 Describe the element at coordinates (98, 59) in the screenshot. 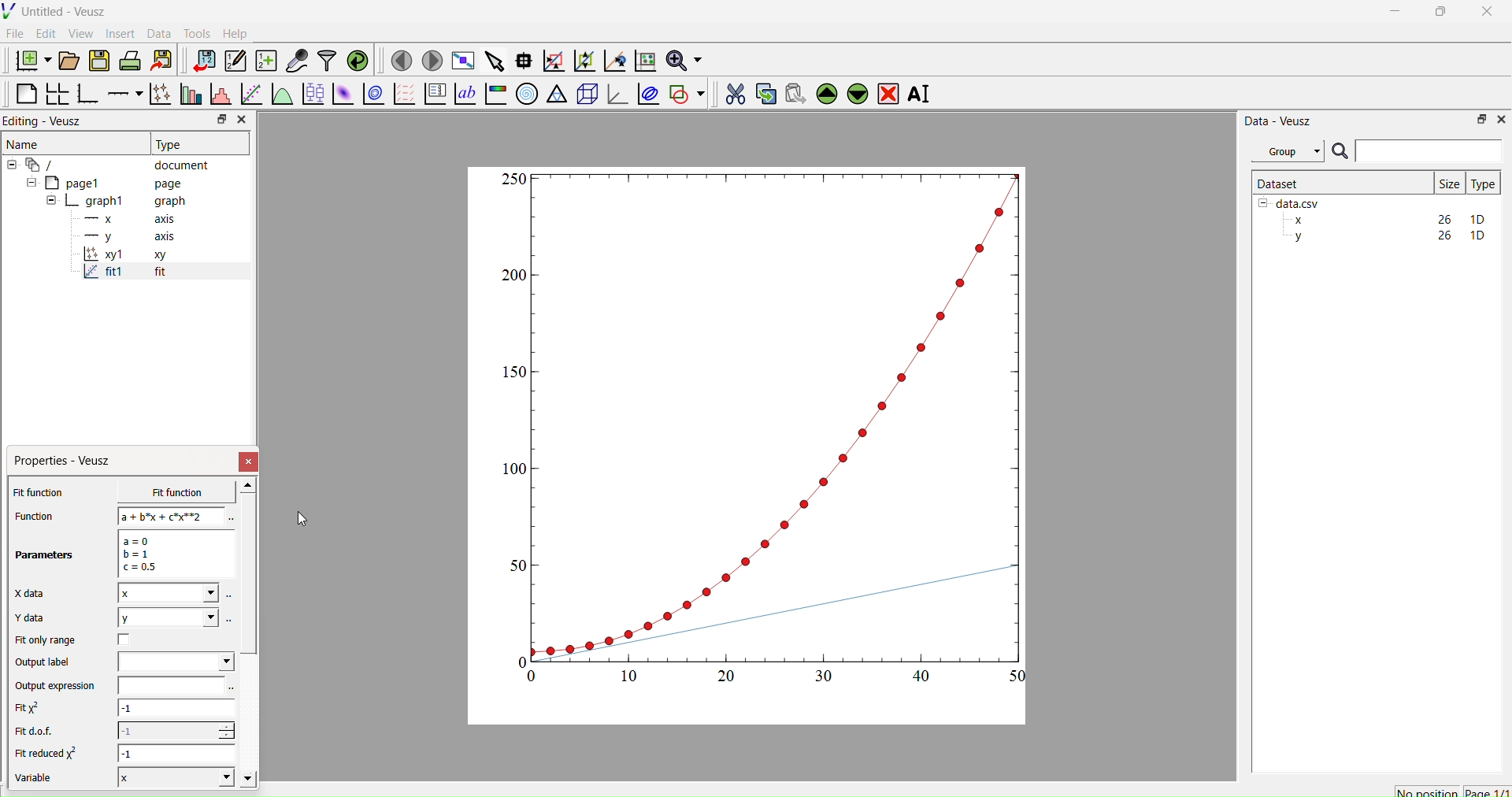

I see `Save` at that location.